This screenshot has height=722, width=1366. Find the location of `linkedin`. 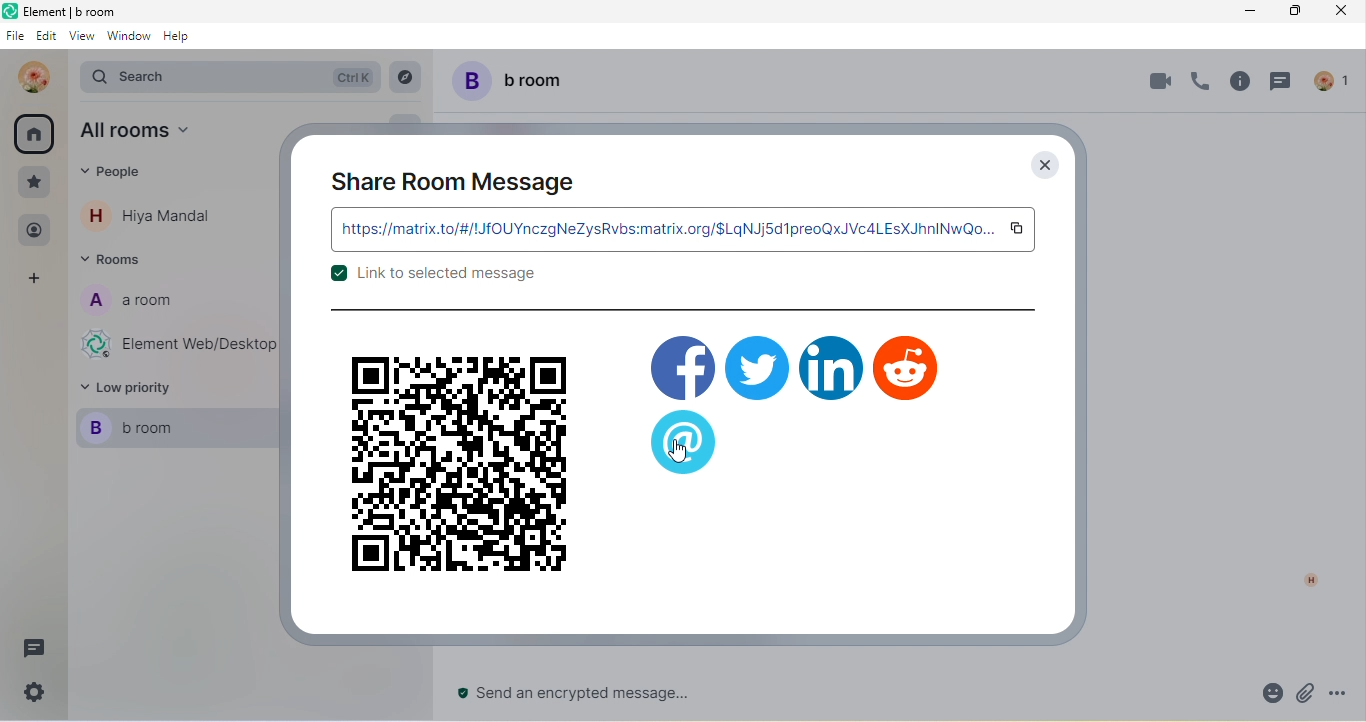

linkedin is located at coordinates (831, 367).